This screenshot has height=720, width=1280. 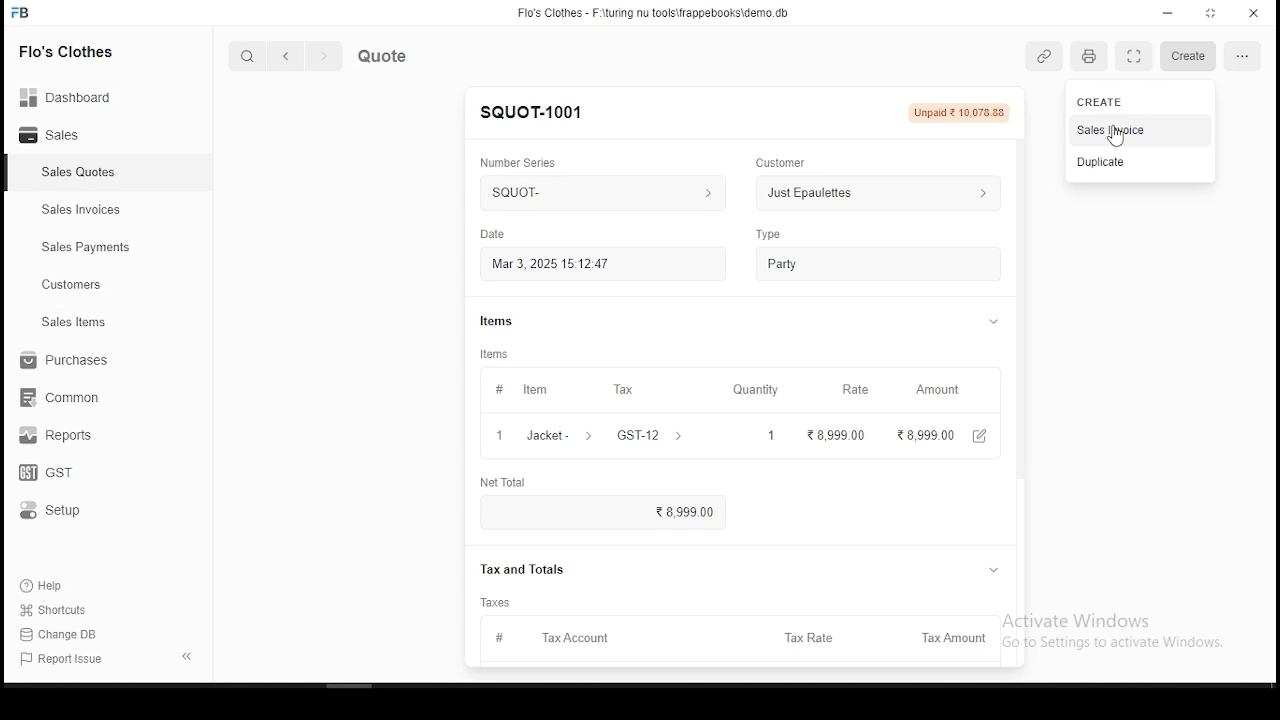 I want to click on edit, so click(x=988, y=435).